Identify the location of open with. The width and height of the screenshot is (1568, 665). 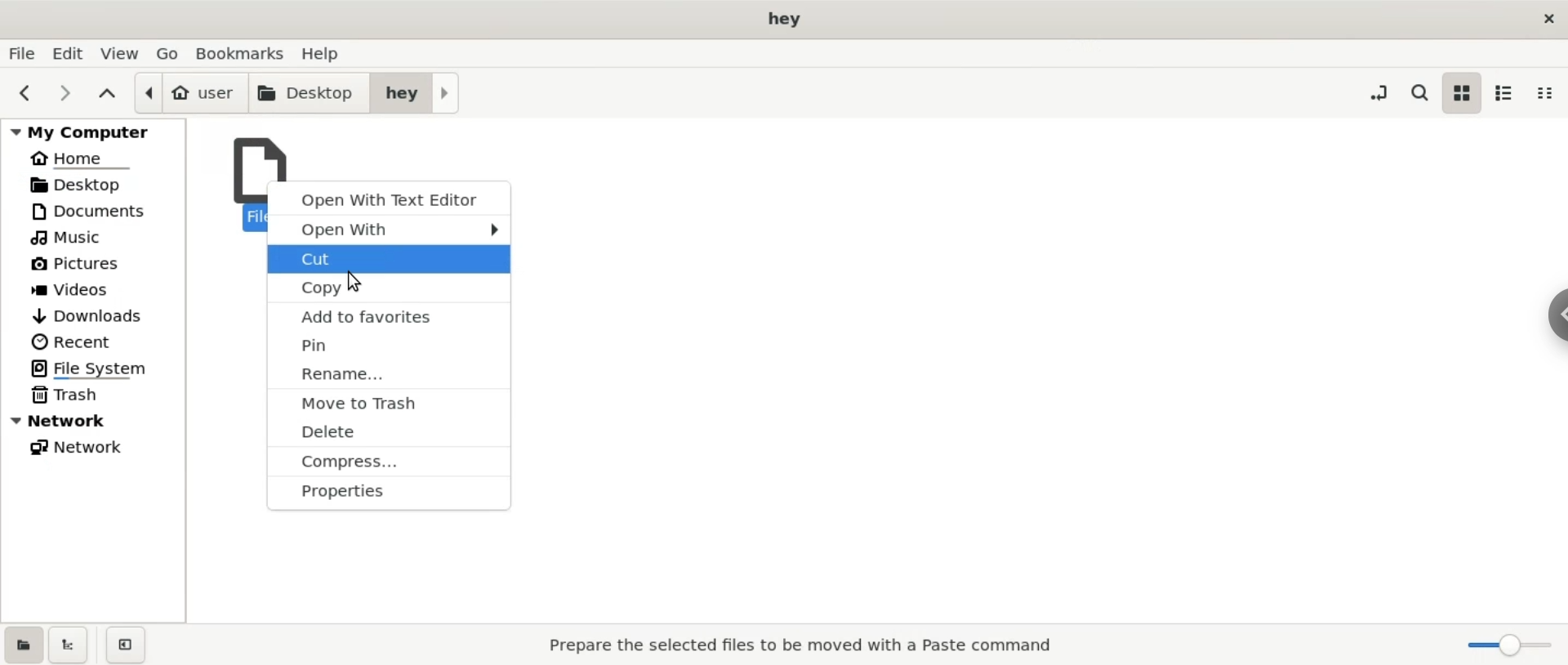
(385, 230).